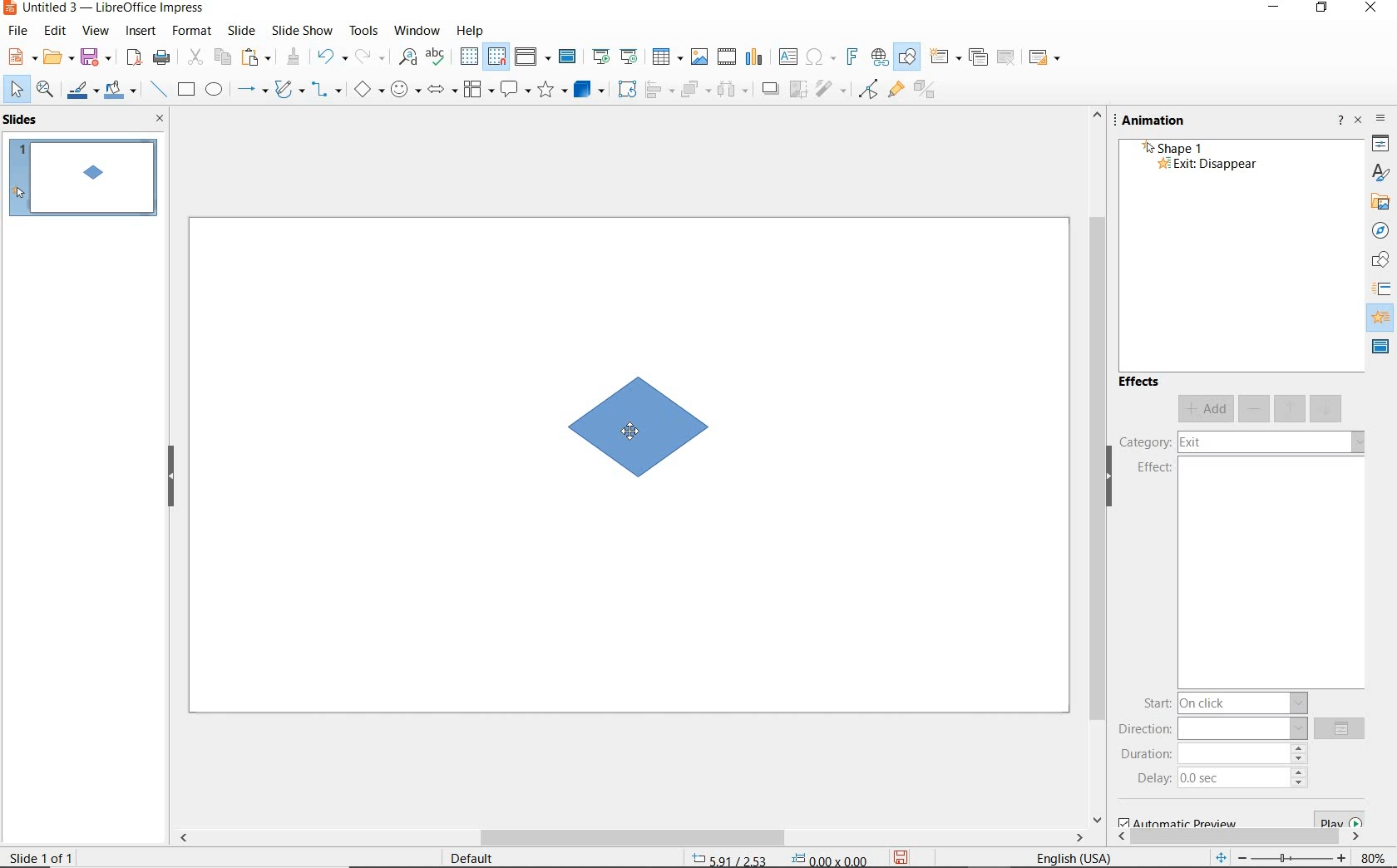 The image size is (1397, 868). What do you see at coordinates (82, 180) in the screenshot?
I see `slide 1` at bounding box center [82, 180].